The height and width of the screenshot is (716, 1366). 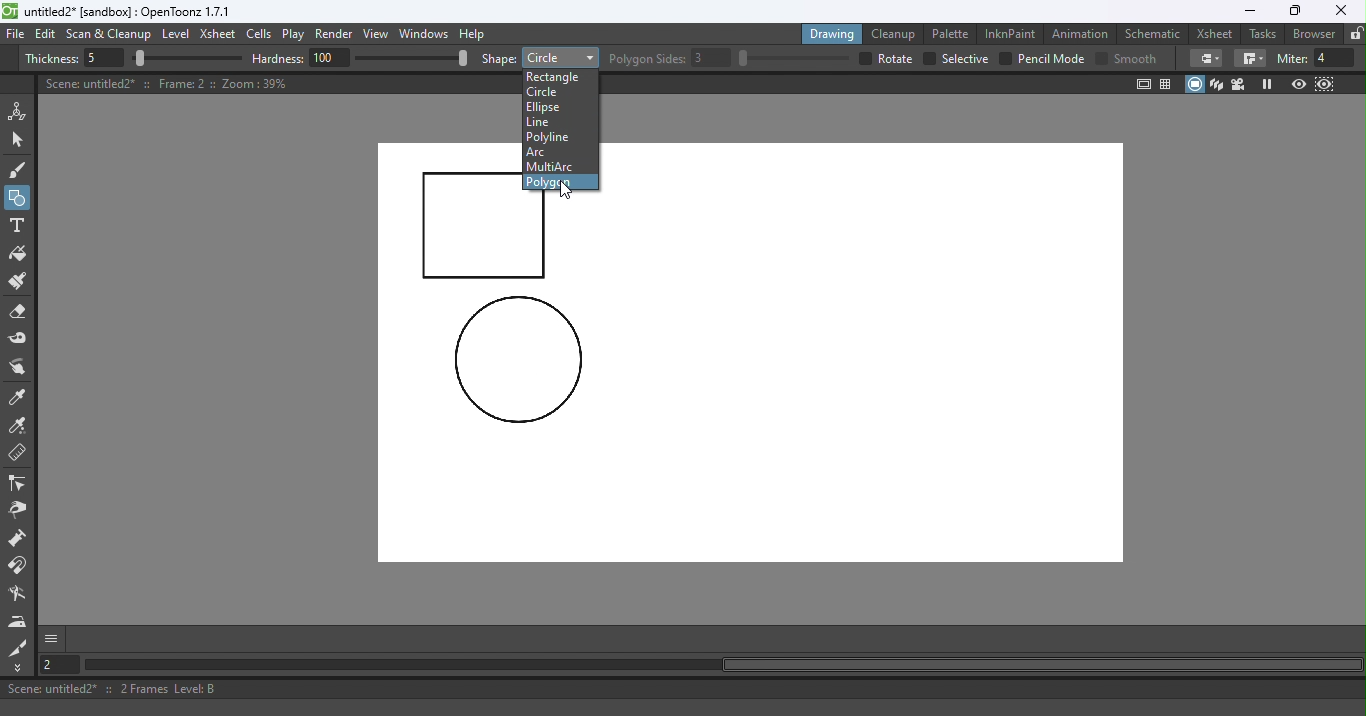 I want to click on MultiArc, so click(x=556, y=167).